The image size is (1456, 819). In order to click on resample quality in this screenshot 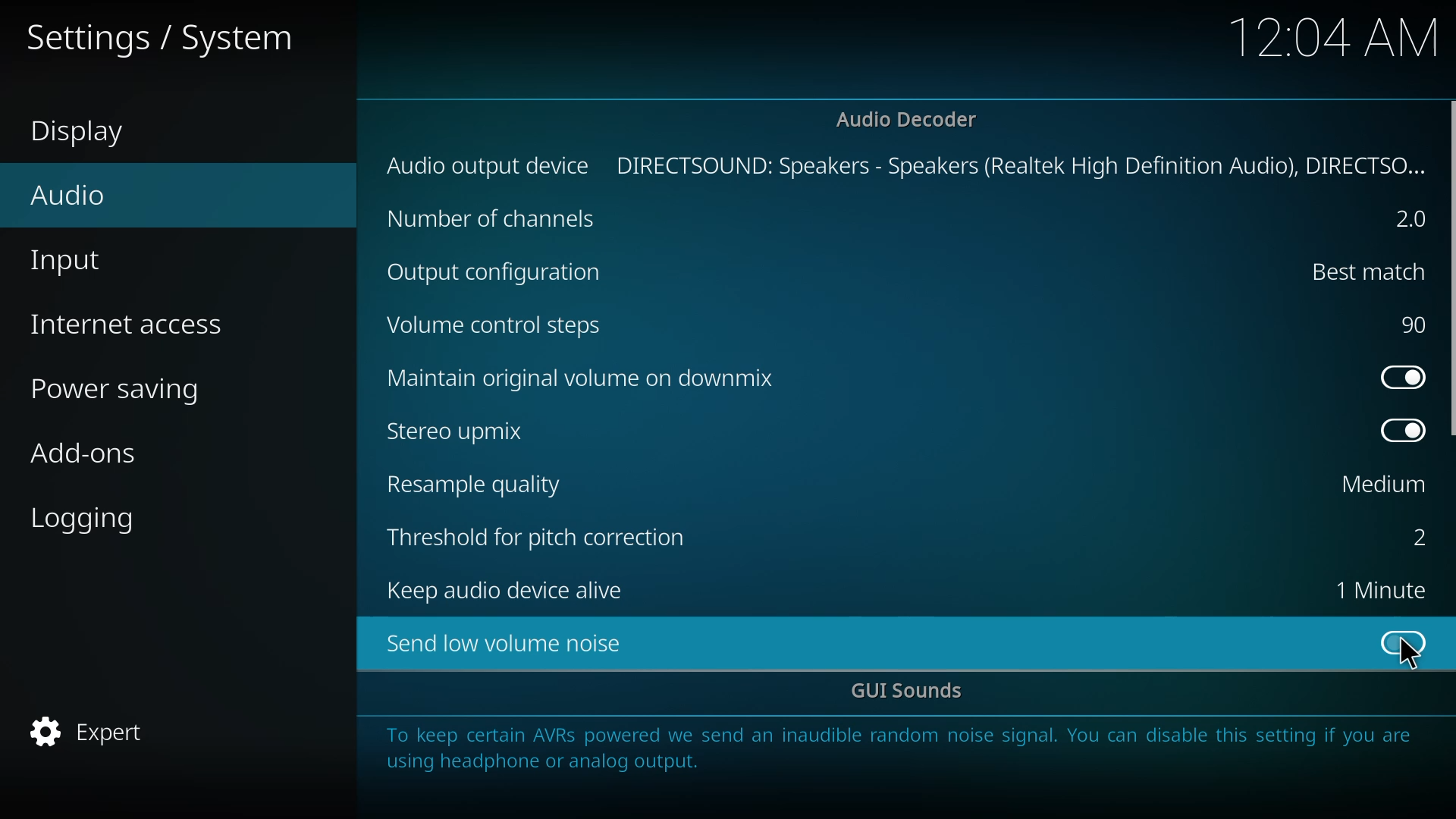, I will do `click(485, 482)`.